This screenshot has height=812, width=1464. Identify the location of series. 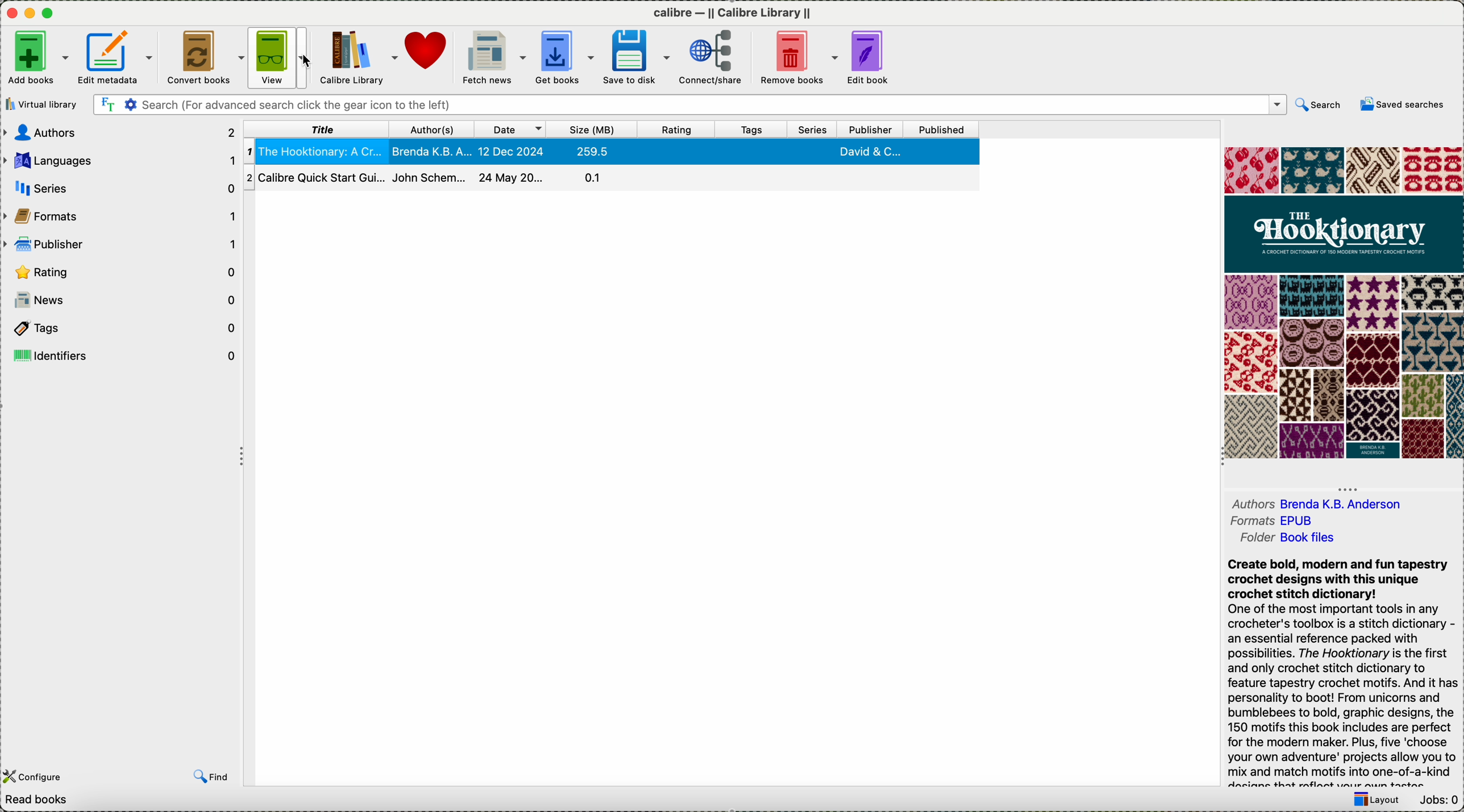
(813, 130).